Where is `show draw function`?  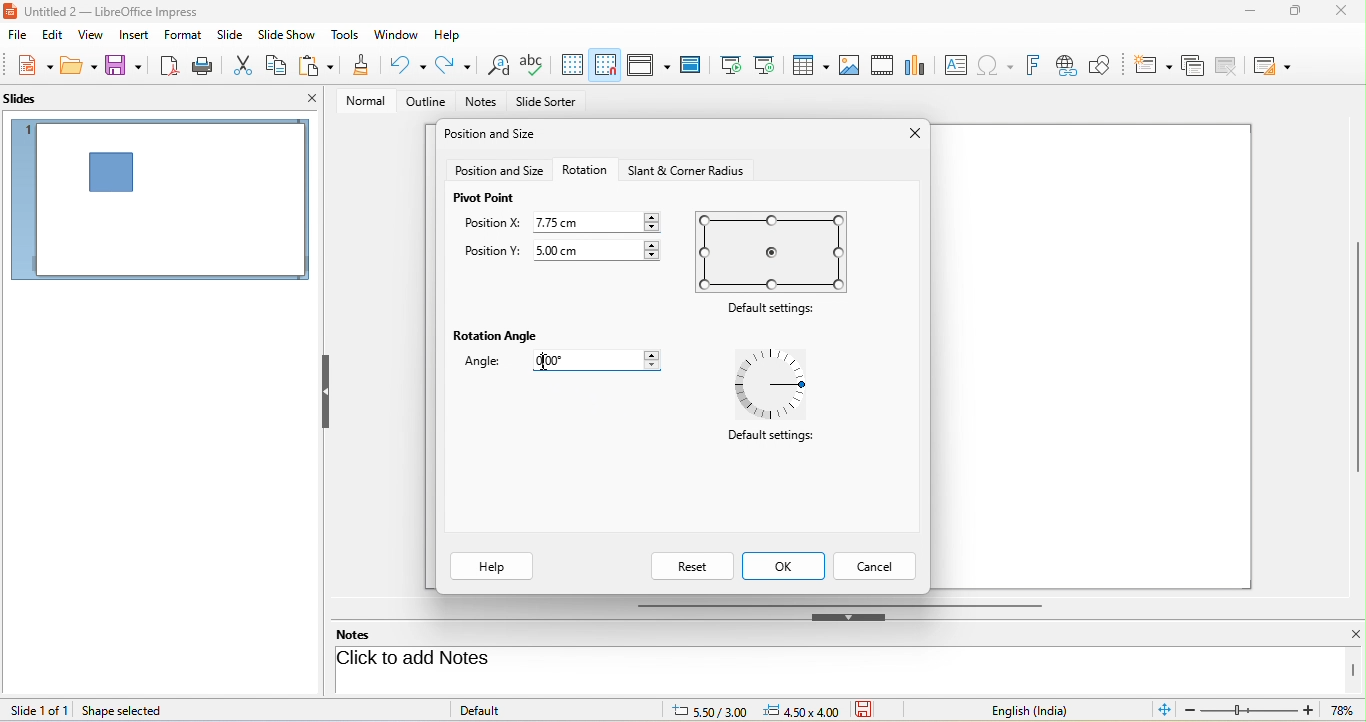 show draw function is located at coordinates (1109, 63).